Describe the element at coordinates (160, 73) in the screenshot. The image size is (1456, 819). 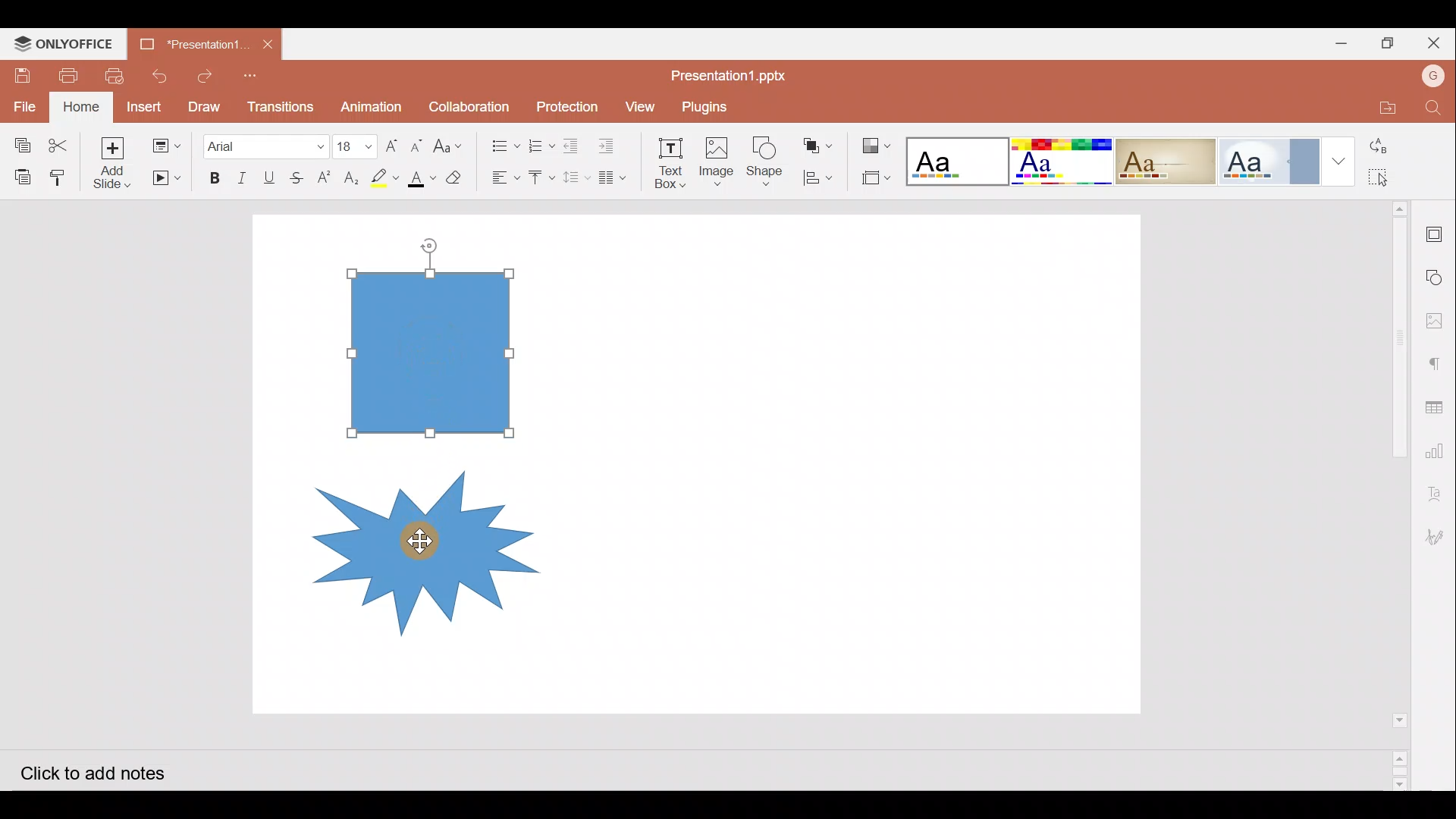
I see `Undo` at that location.